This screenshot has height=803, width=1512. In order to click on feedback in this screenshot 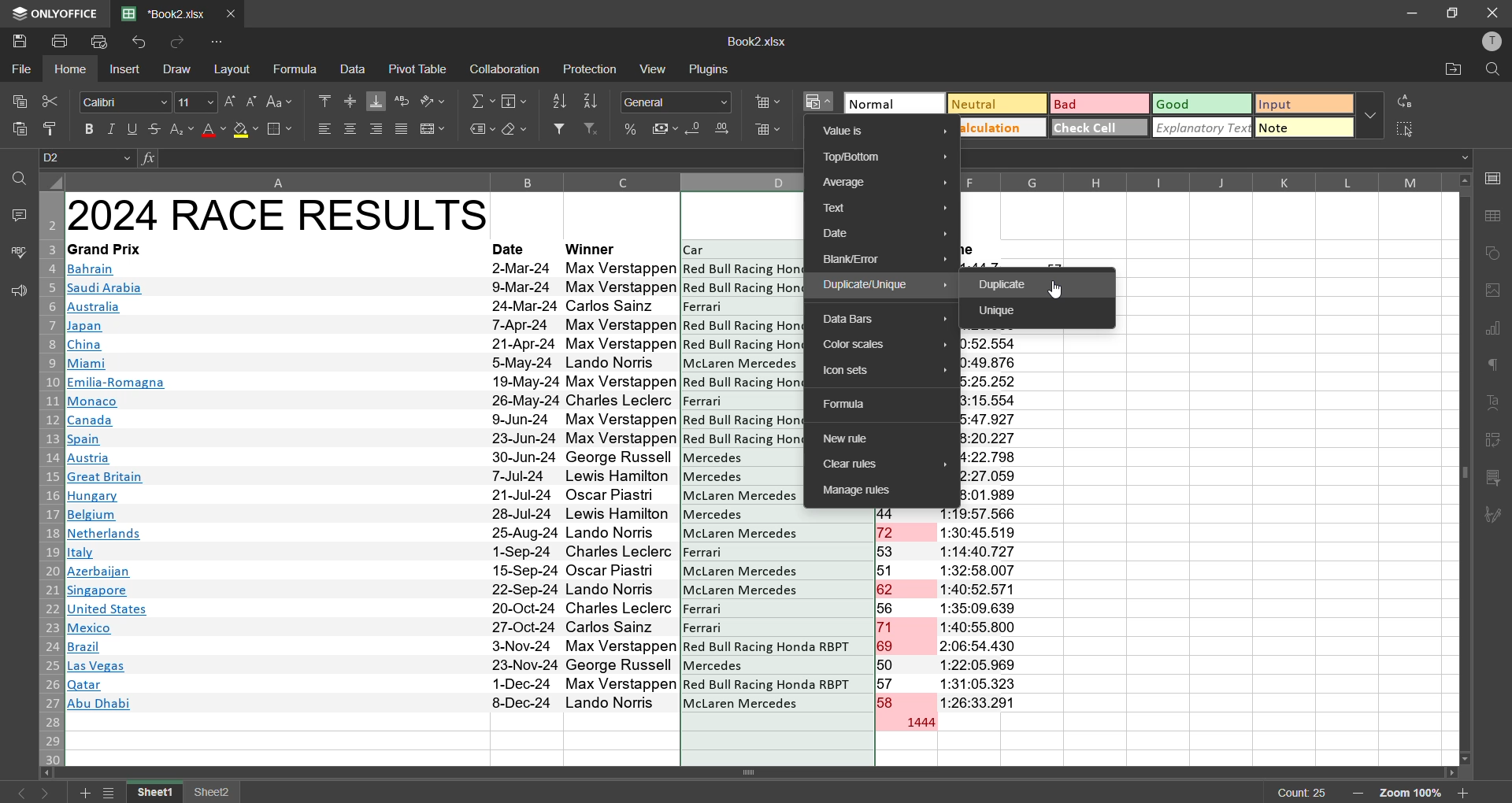, I will do `click(16, 291)`.